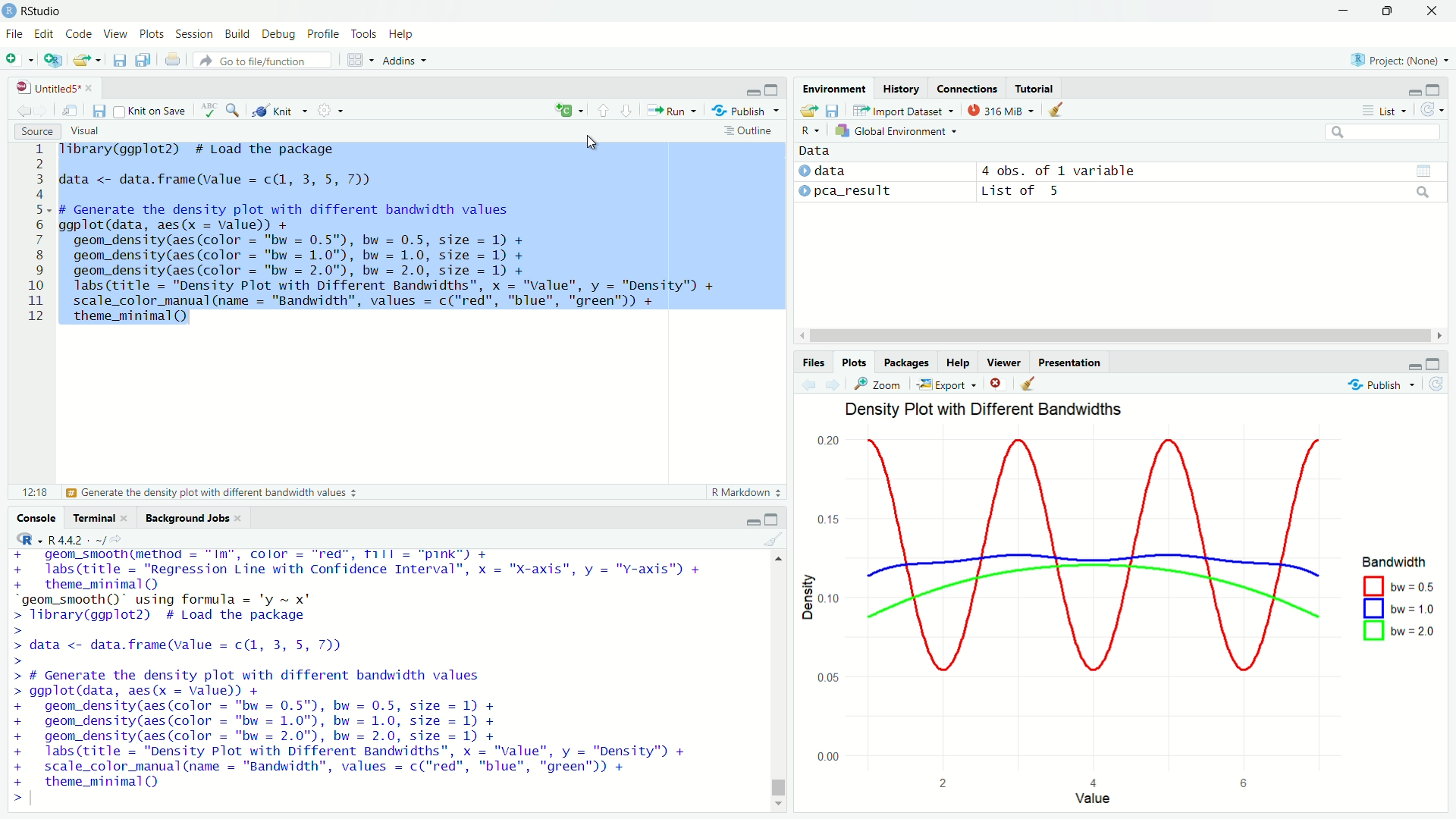 The height and width of the screenshot is (819, 1456). Describe the element at coordinates (1414, 366) in the screenshot. I see `minimize` at that location.